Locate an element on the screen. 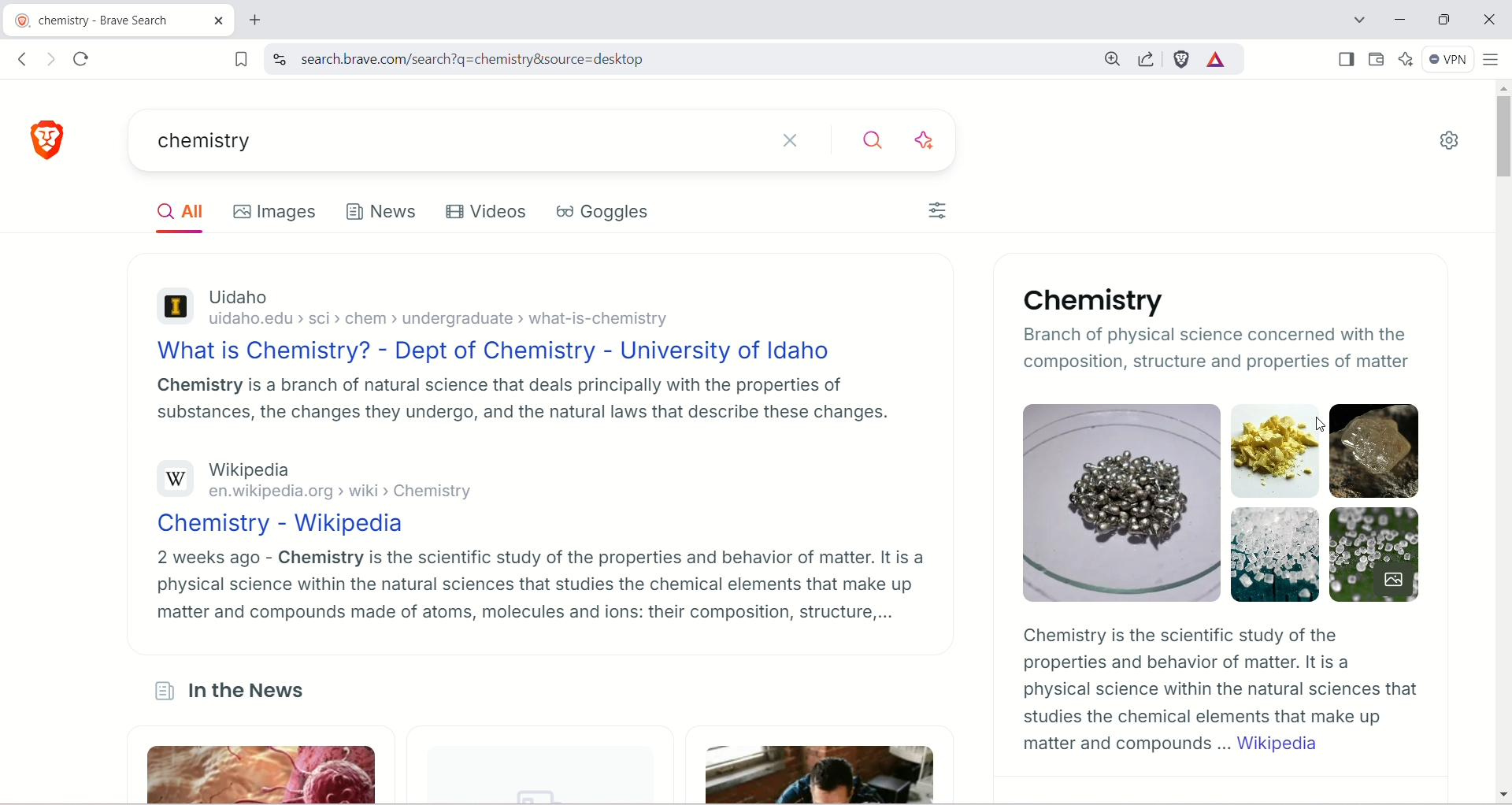 The width and height of the screenshot is (1512, 805). new tab is located at coordinates (257, 20).